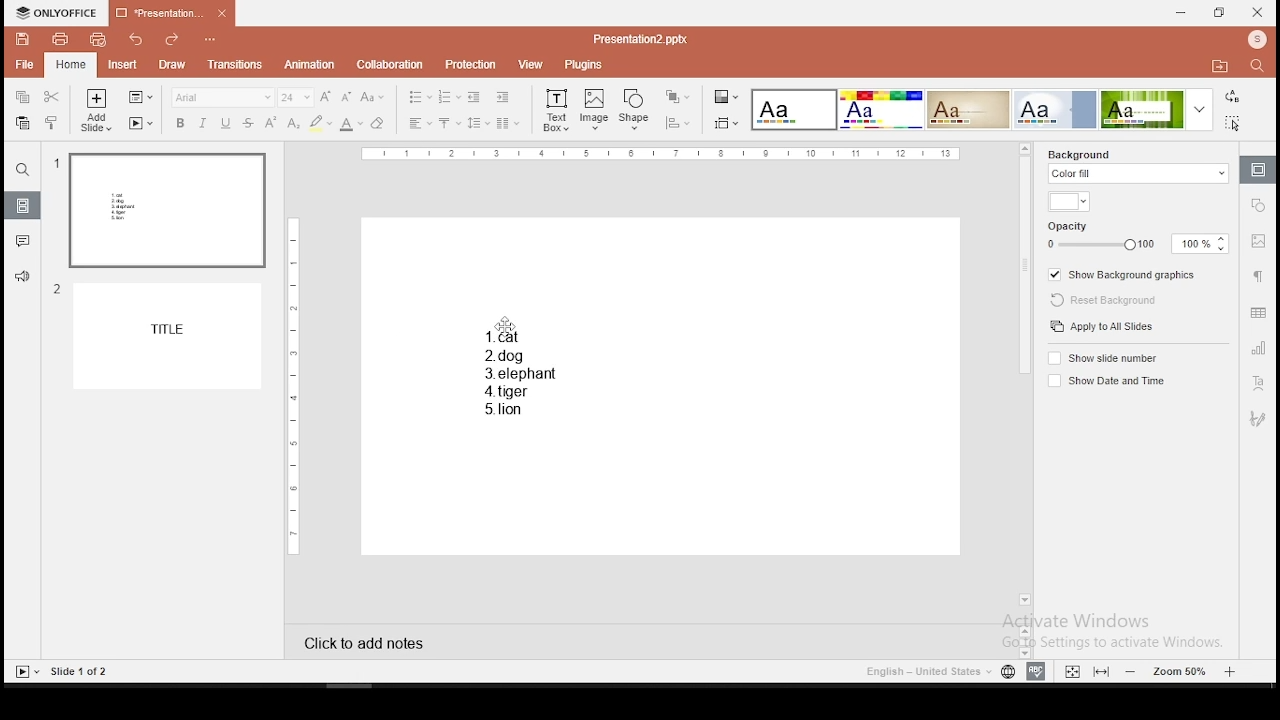 This screenshot has height=720, width=1280. I want to click on undo, so click(137, 40).